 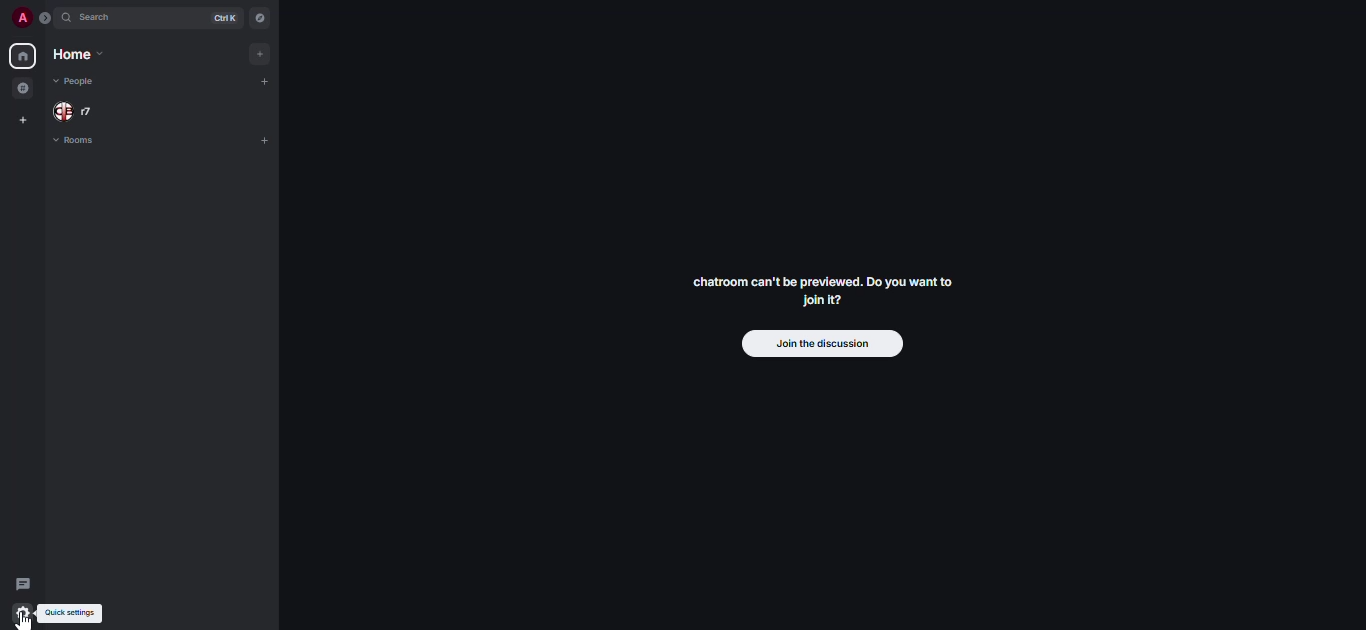 I want to click on navigator, so click(x=261, y=18).